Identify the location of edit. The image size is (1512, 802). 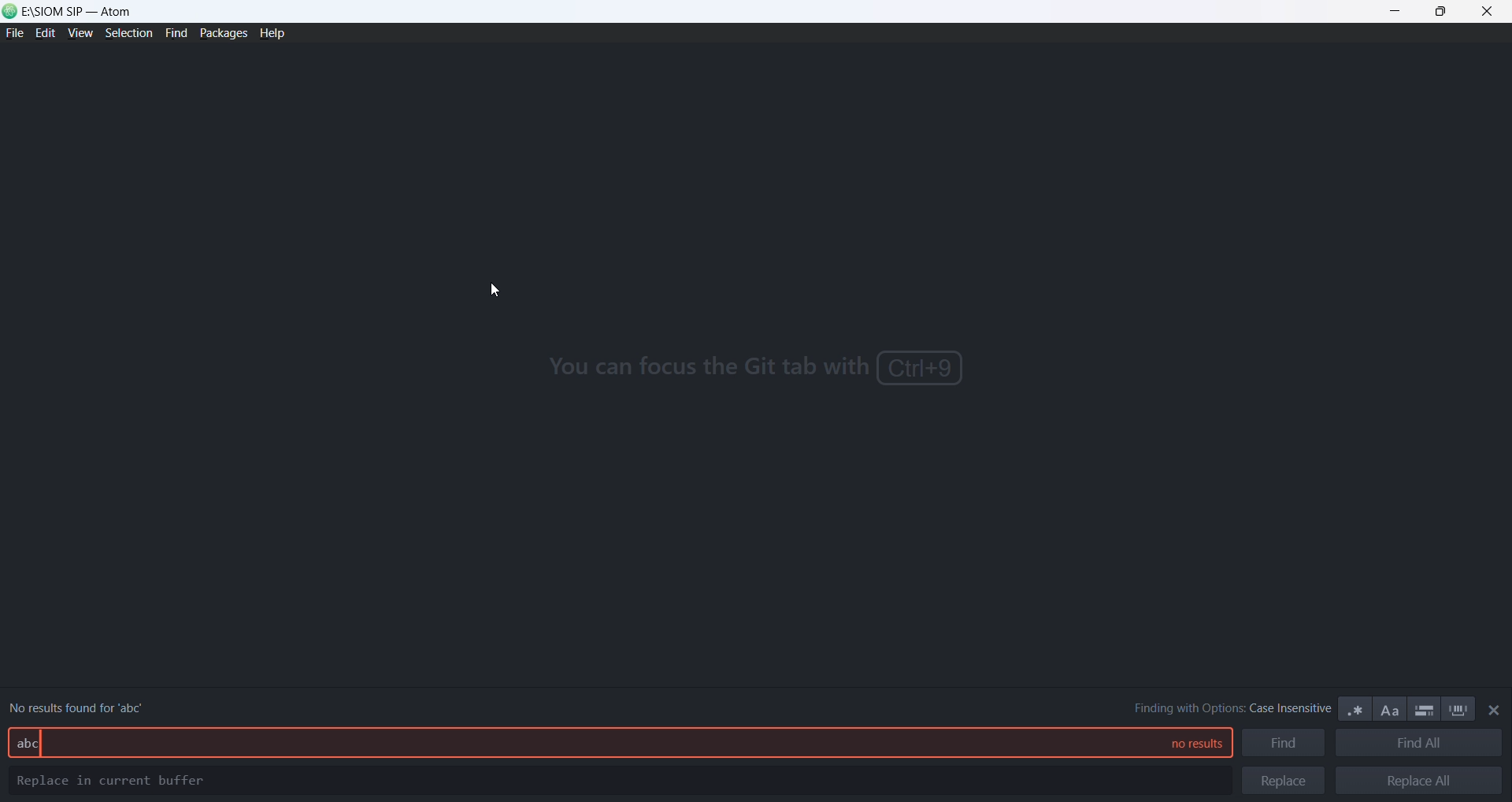
(45, 35).